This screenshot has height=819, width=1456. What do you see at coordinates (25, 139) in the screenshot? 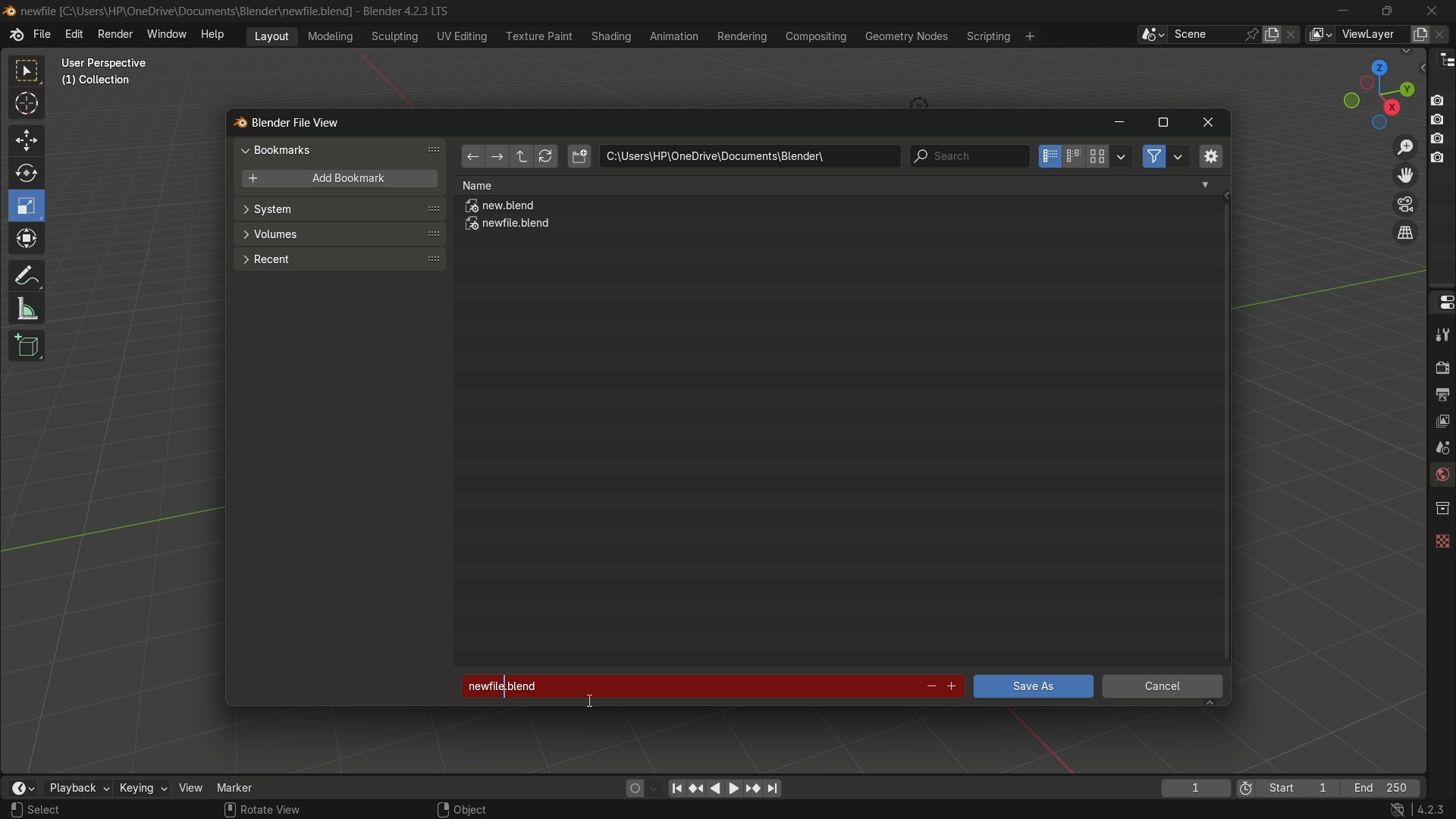
I see `move` at bounding box center [25, 139].